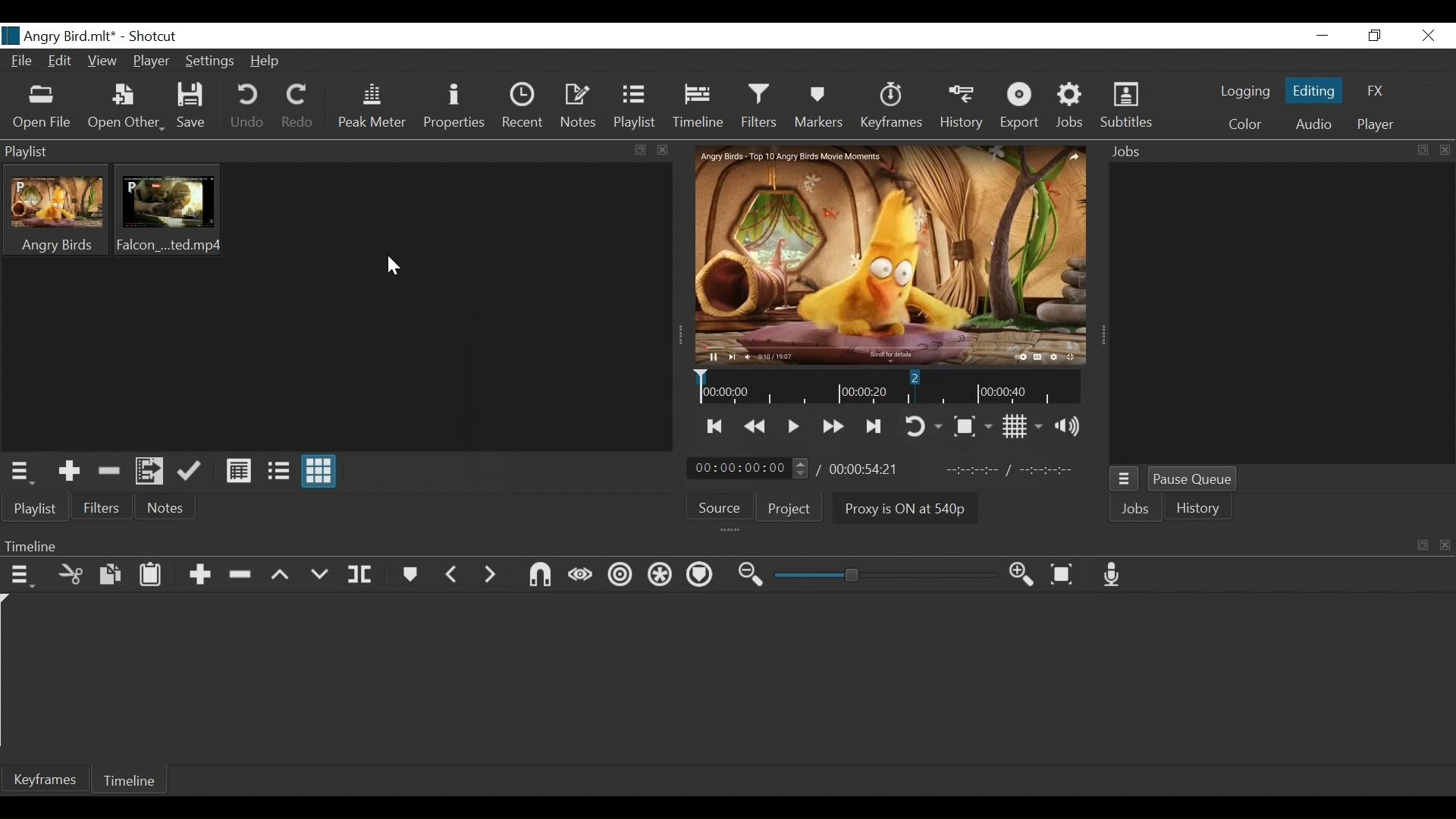 The height and width of the screenshot is (819, 1456). Describe the element at coordinates (456, 575) in the screenshot. I see `Previous marker` at that location.